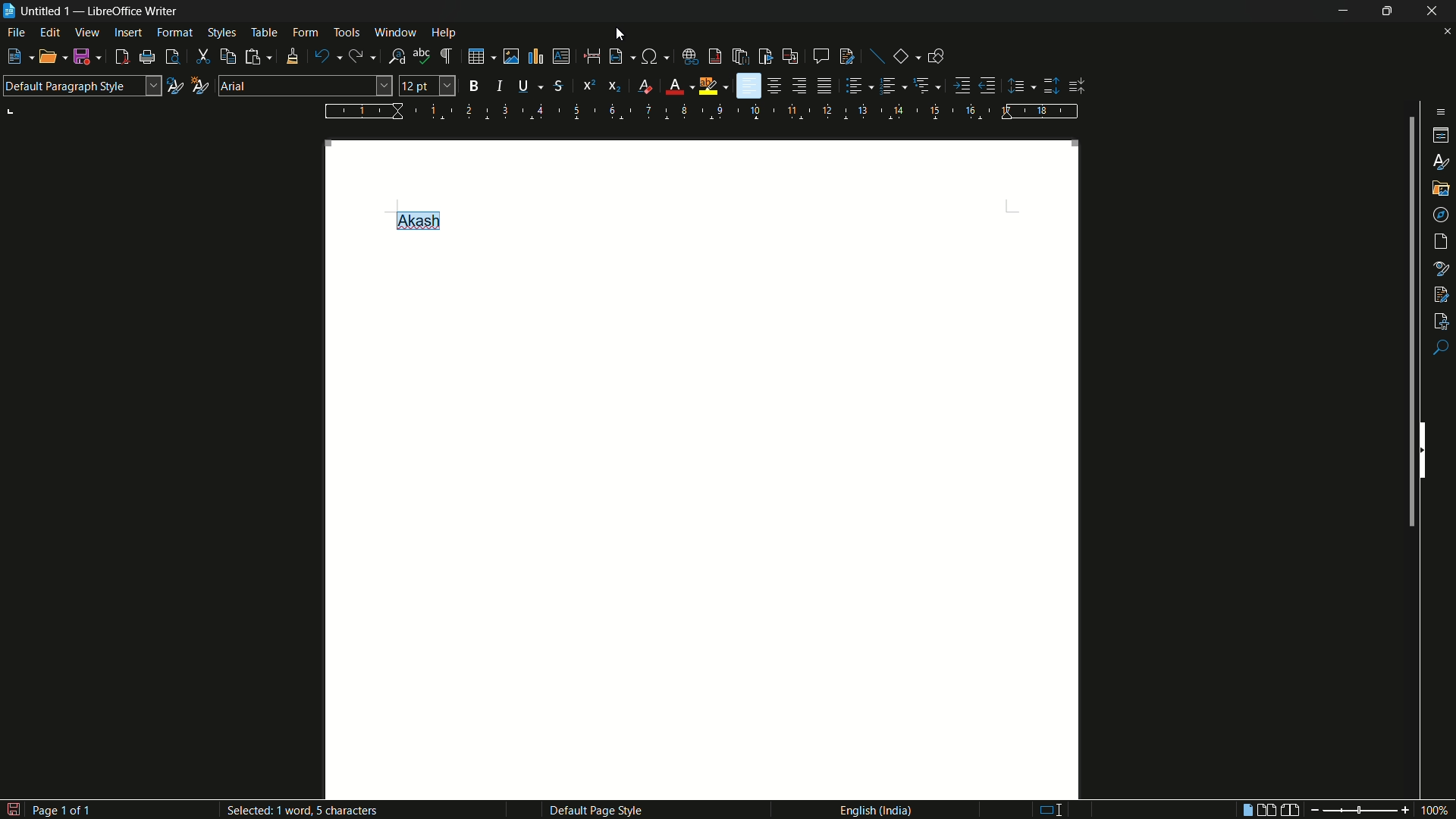 Image resolution: width=1456 pixels, height=819 pixels. Describe the element at coordinates (1442, 161) in the screenshot. I see `styles` at that location.